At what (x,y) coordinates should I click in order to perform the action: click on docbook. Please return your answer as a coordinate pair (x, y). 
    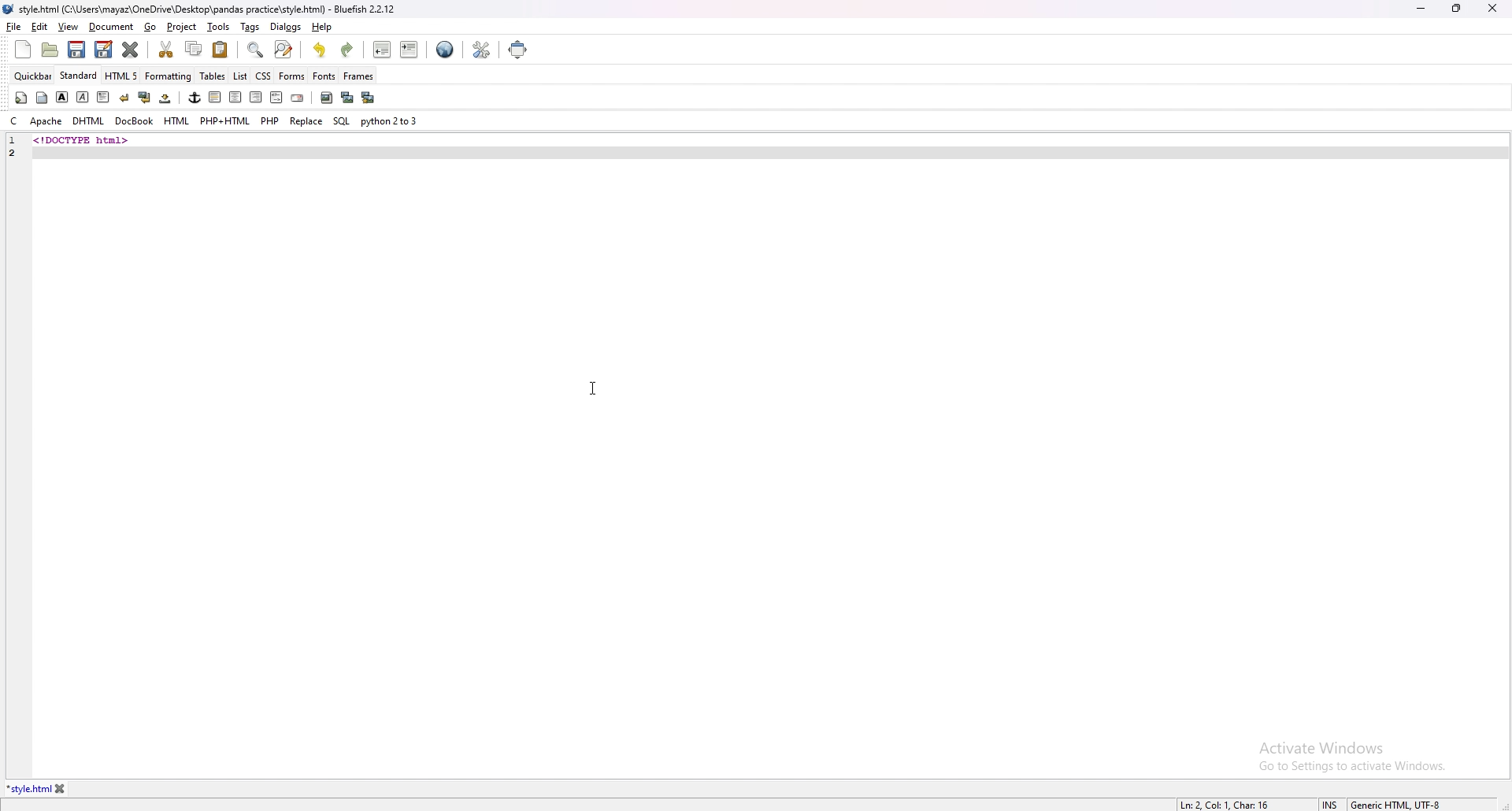
    Looking at the image, I should click on (134, 121).